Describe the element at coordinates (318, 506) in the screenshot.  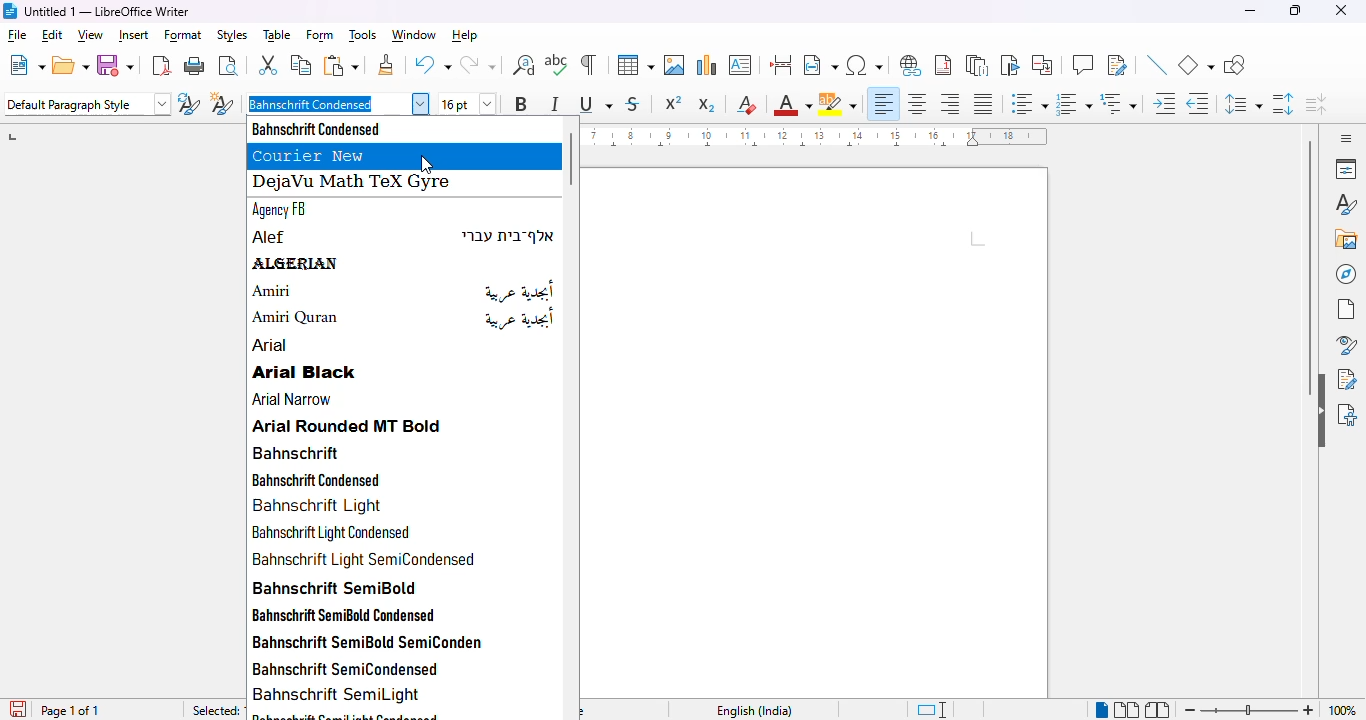
I see `bahnschrift light` at that location.